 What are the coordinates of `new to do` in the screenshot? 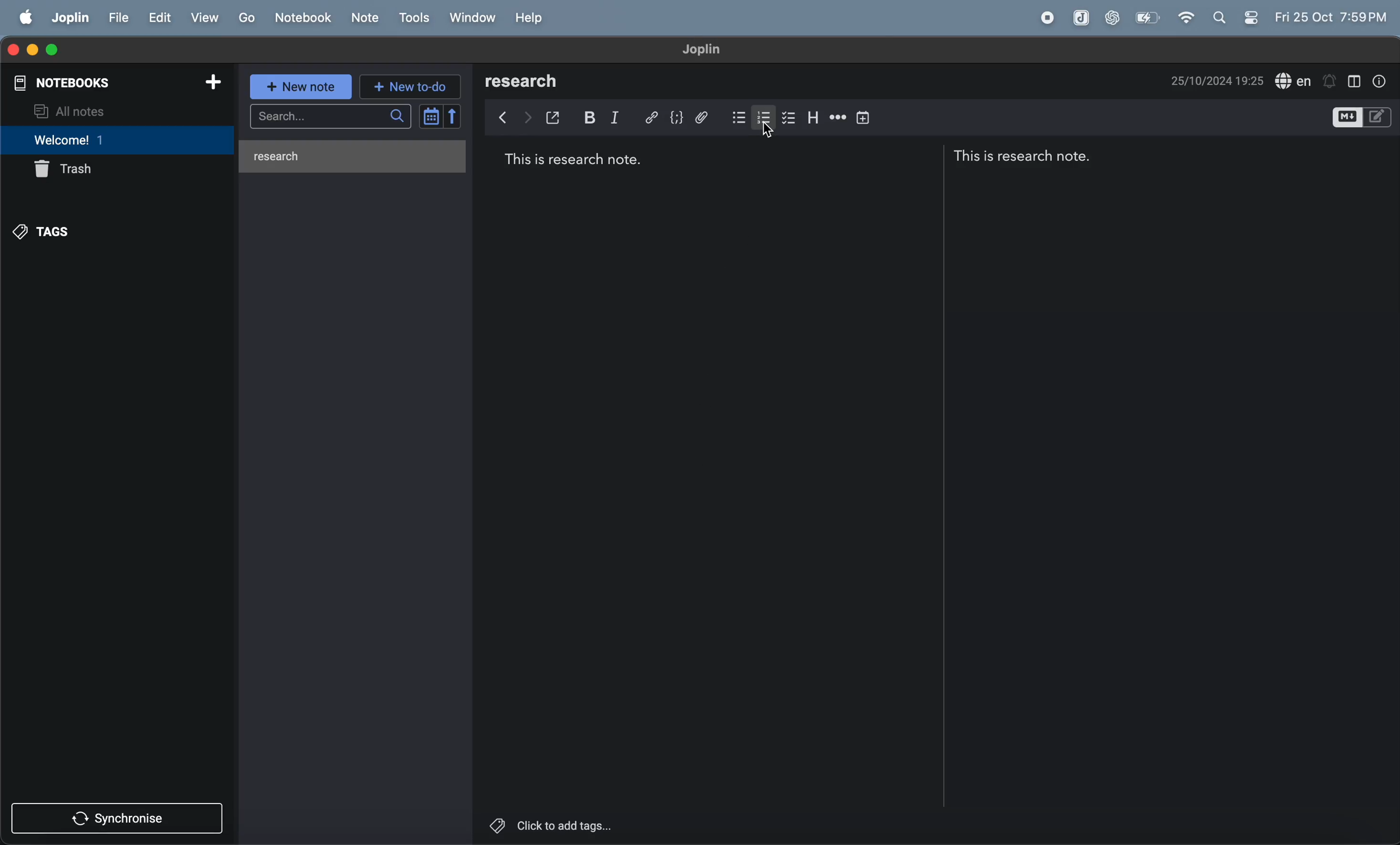 It's located at (413, 85).